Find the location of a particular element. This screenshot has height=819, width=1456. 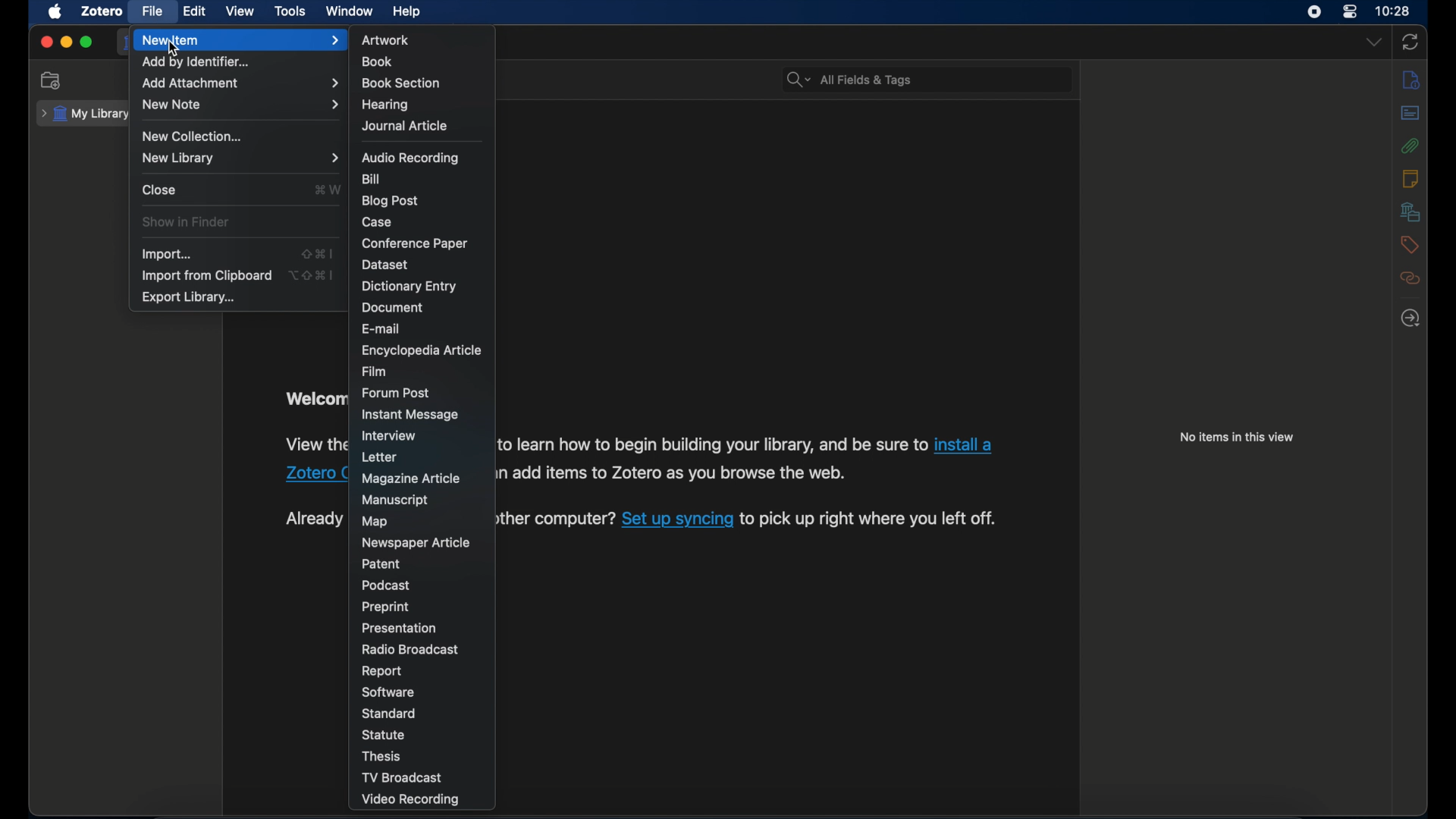

preprint is located at coordinates (385, 607).